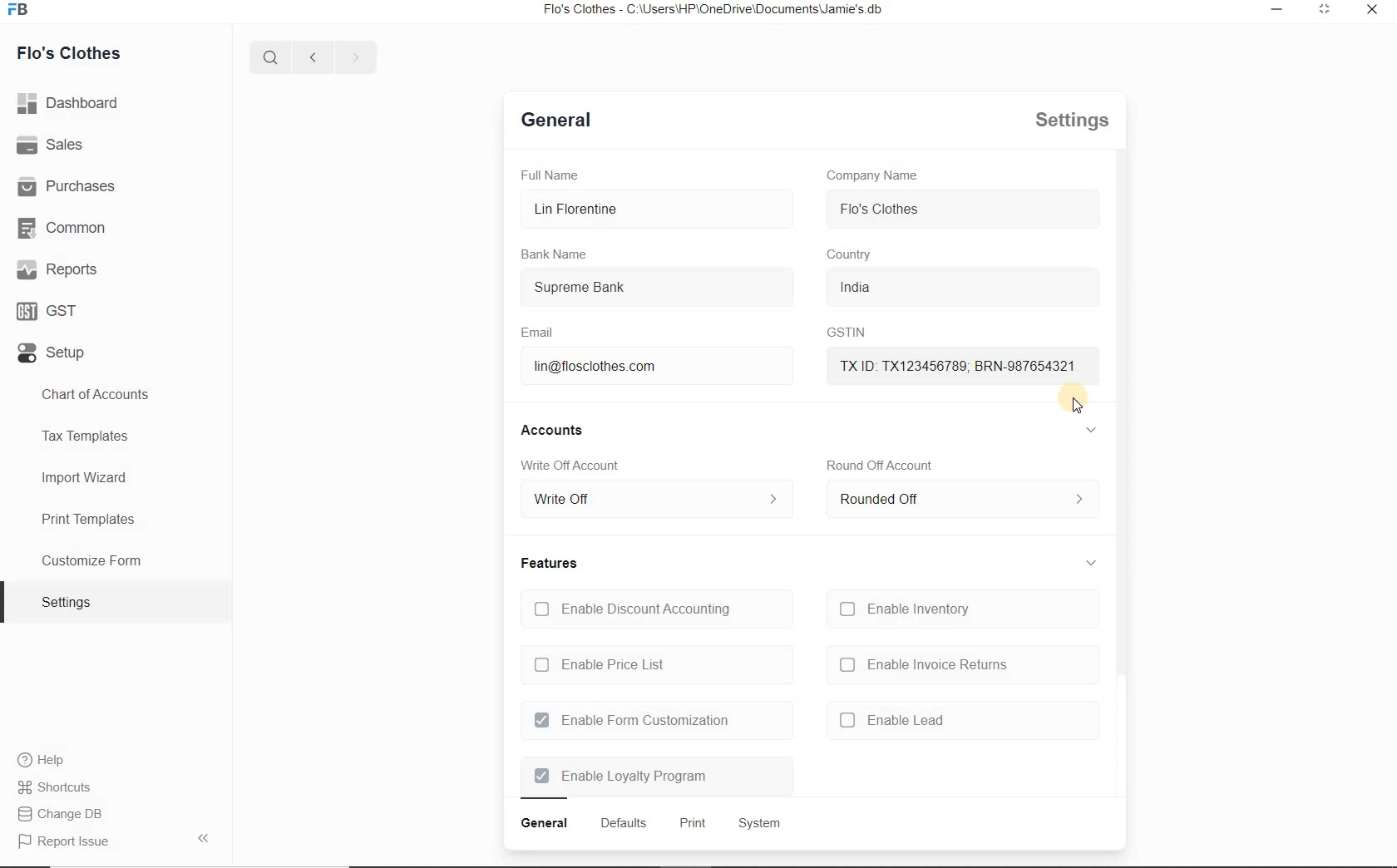 Image resolution: width=1397 pixels, height=868 pixels. Describe the element at coordinates (75, 187) in the screenshot. I see `Purchases` at that location.